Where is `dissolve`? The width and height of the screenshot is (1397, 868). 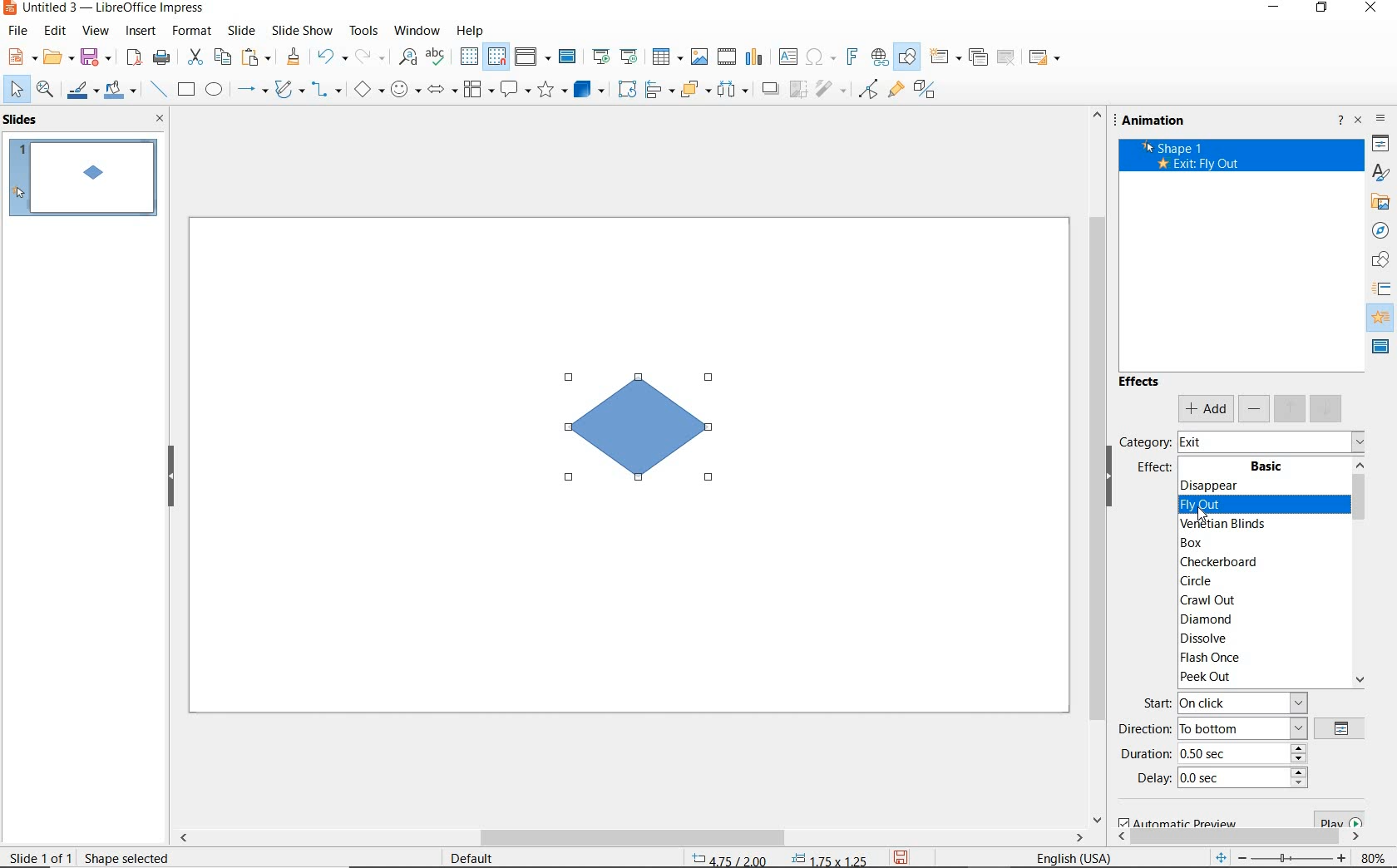
dissolve is located at coordinates (1261, 639).